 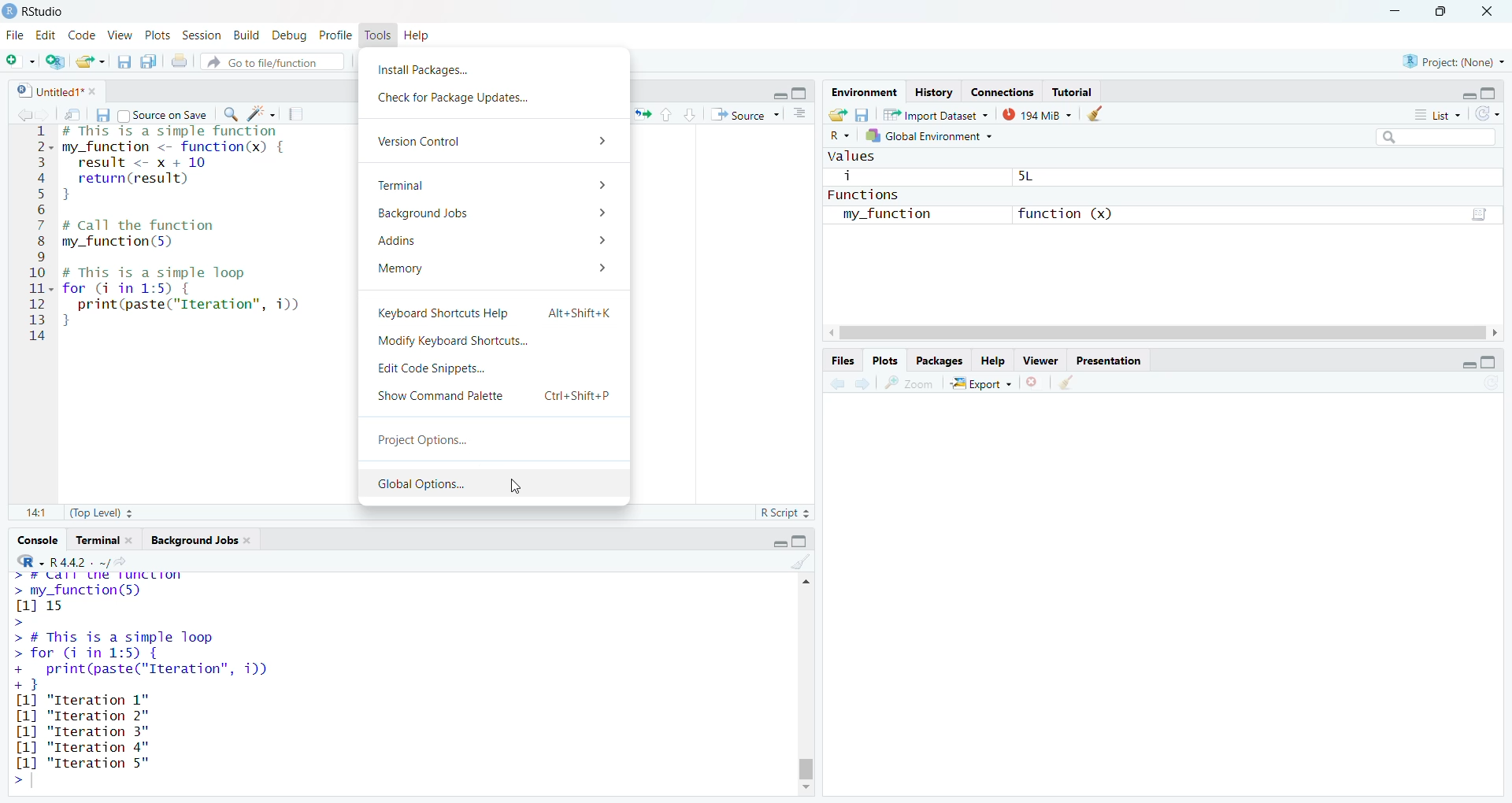 I want to click on re-run the previous code region, so click(x=641, y=116).